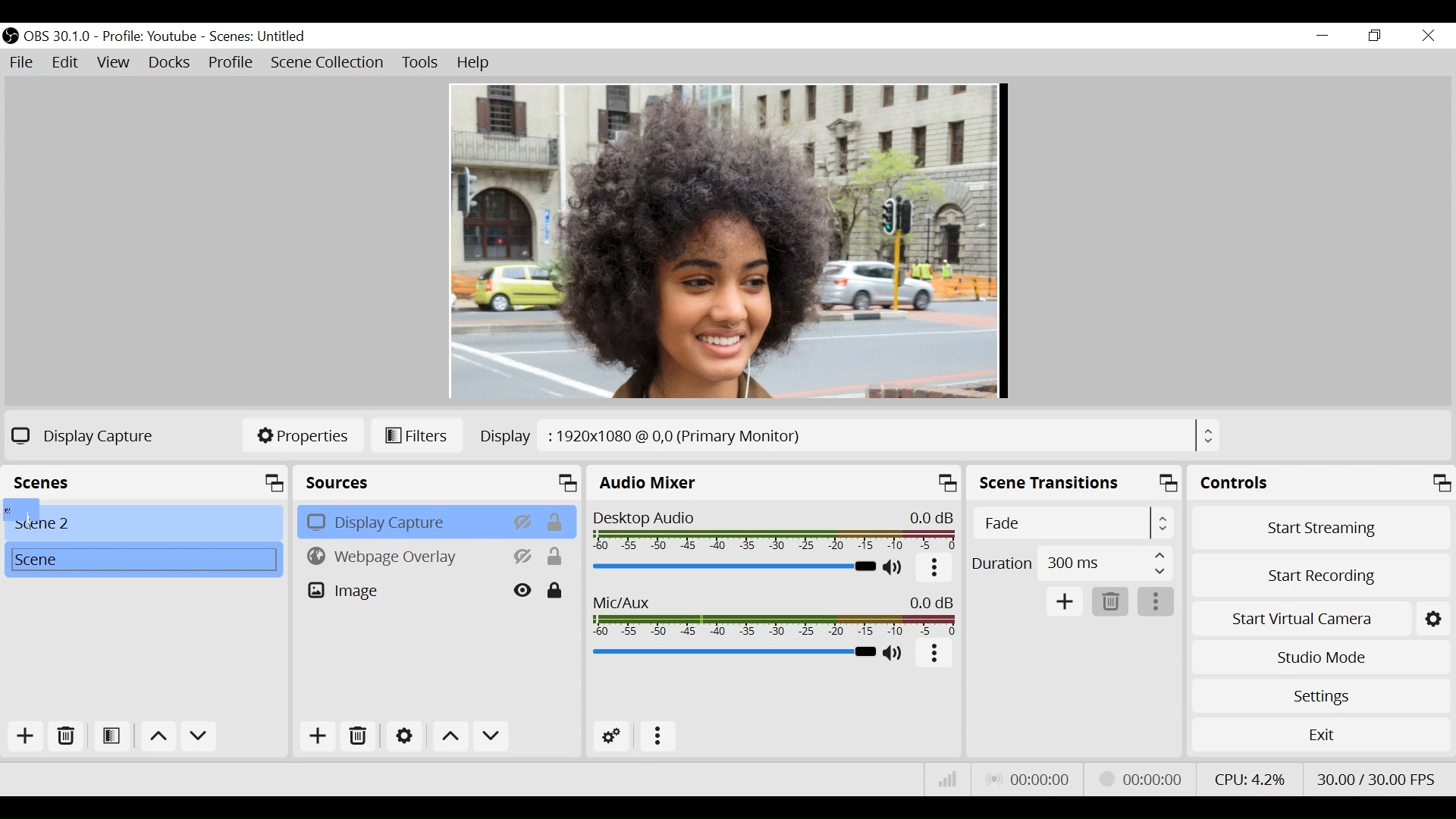  I want to click on Display Capture, so click(401, 521).